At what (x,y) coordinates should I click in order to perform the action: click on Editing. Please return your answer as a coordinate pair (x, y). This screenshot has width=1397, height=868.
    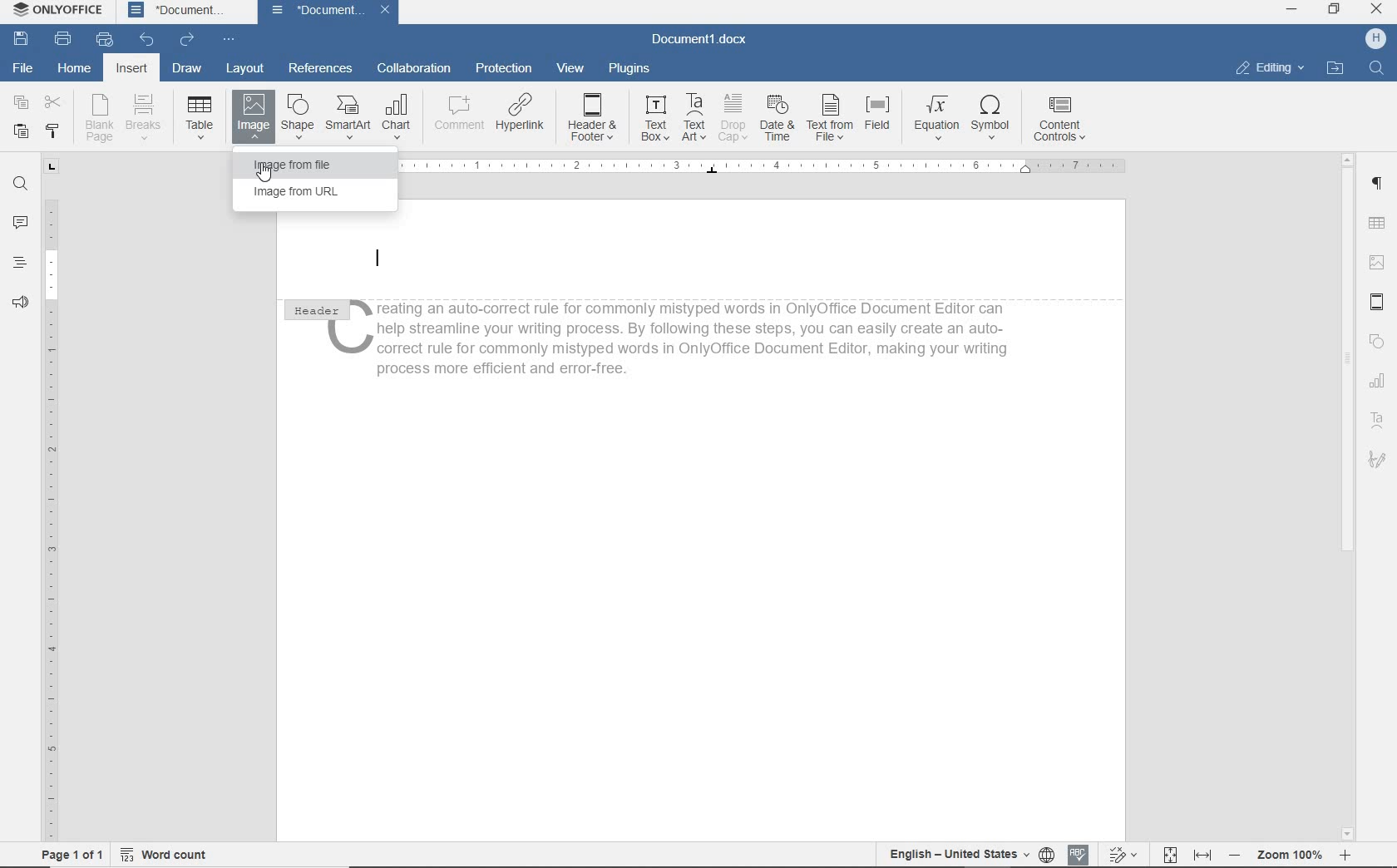
    Looking at the image, I should click on (1266, 68).